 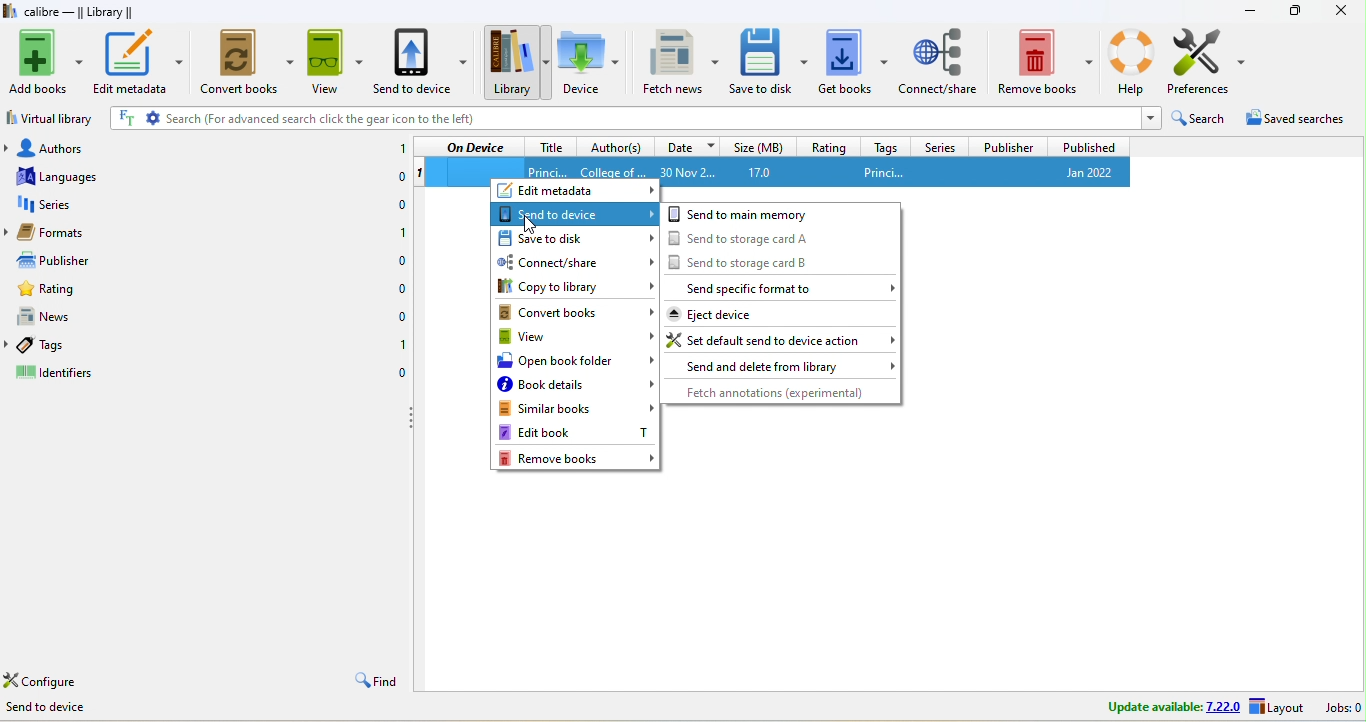 What do you see at coordinates (773, 172) in the screenshot?
I see `17.0` at bounding box center [773, 172].